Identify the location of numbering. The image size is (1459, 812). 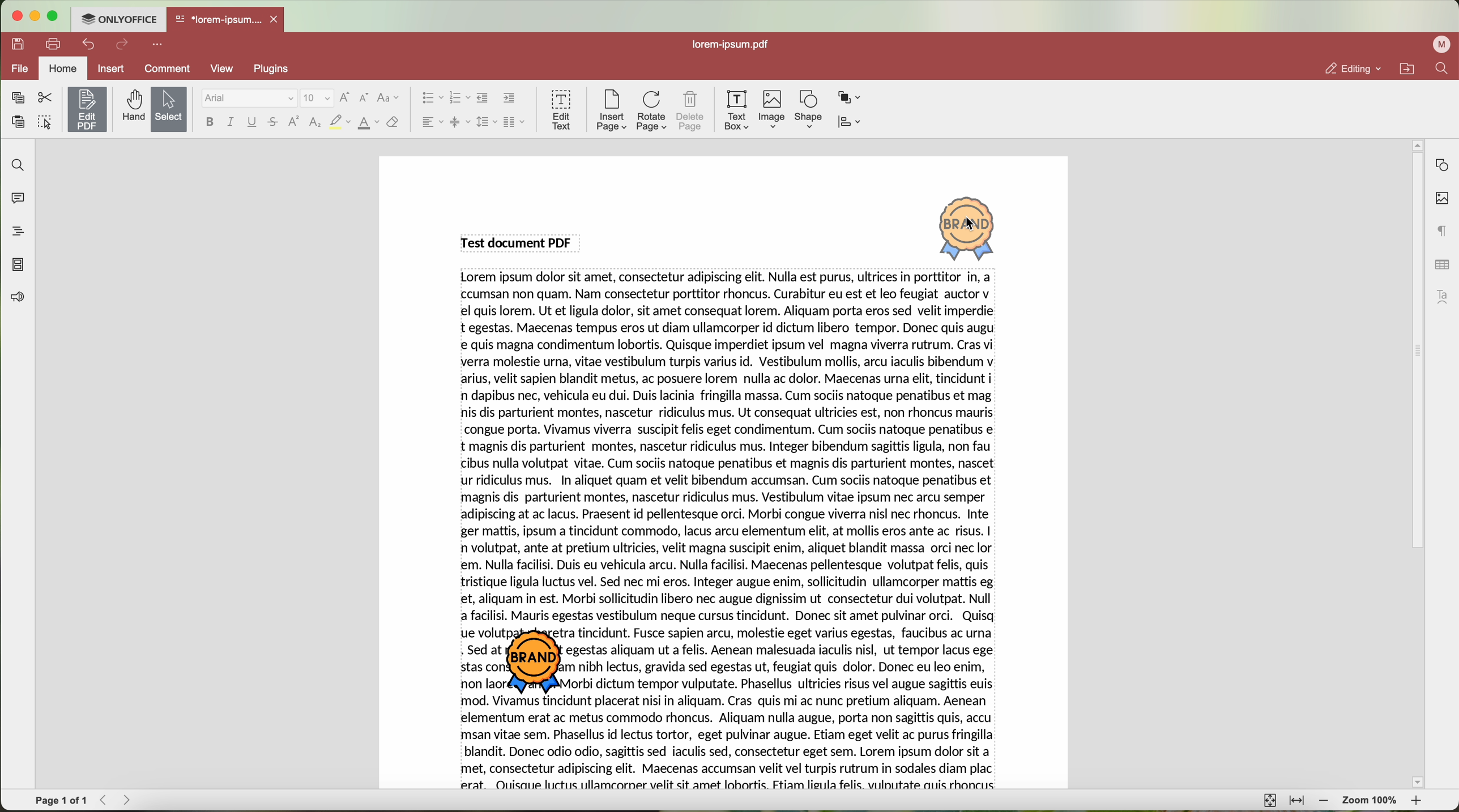
(459, 99).